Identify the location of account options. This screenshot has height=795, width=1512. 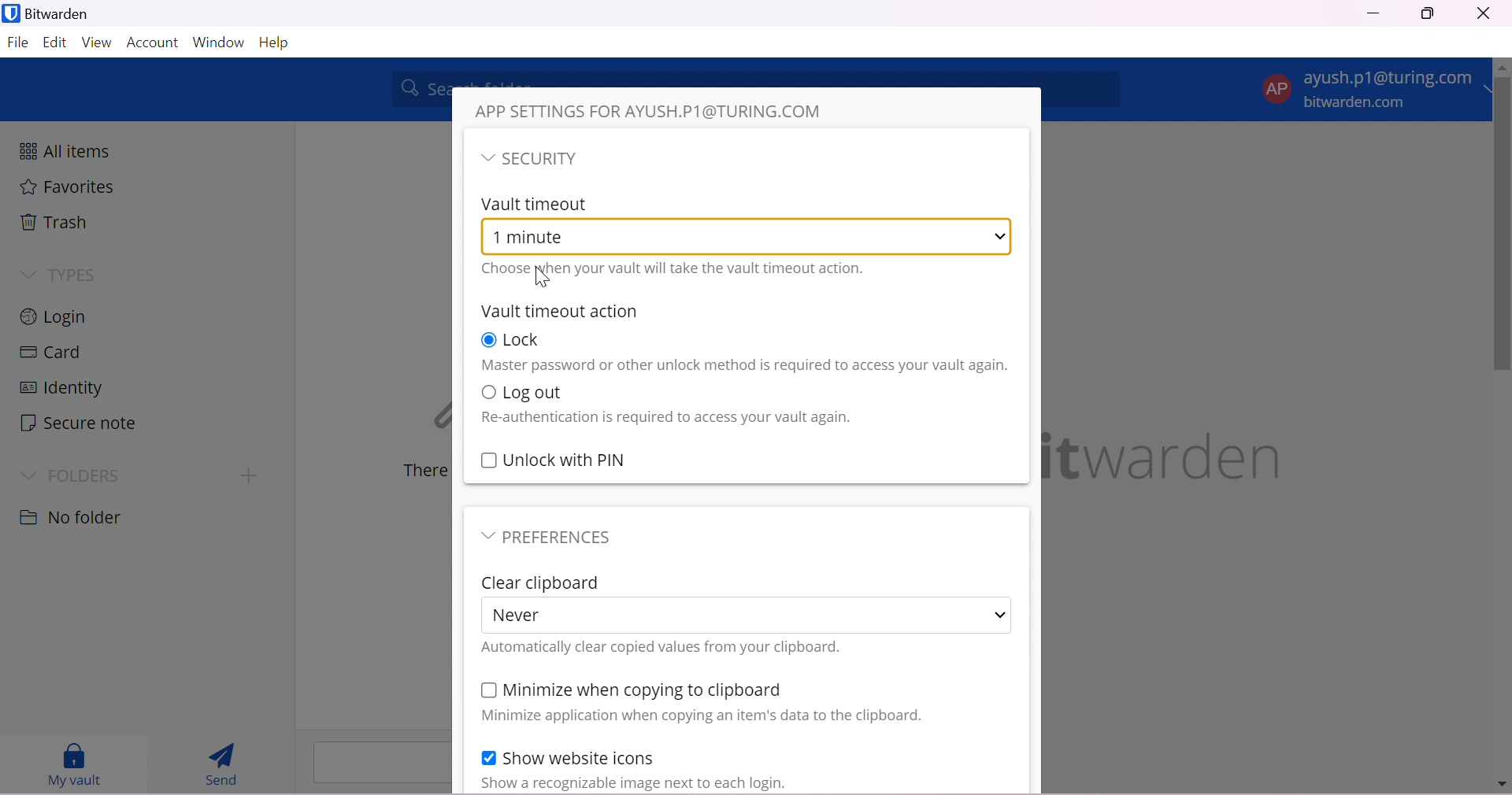
(1371, 87).